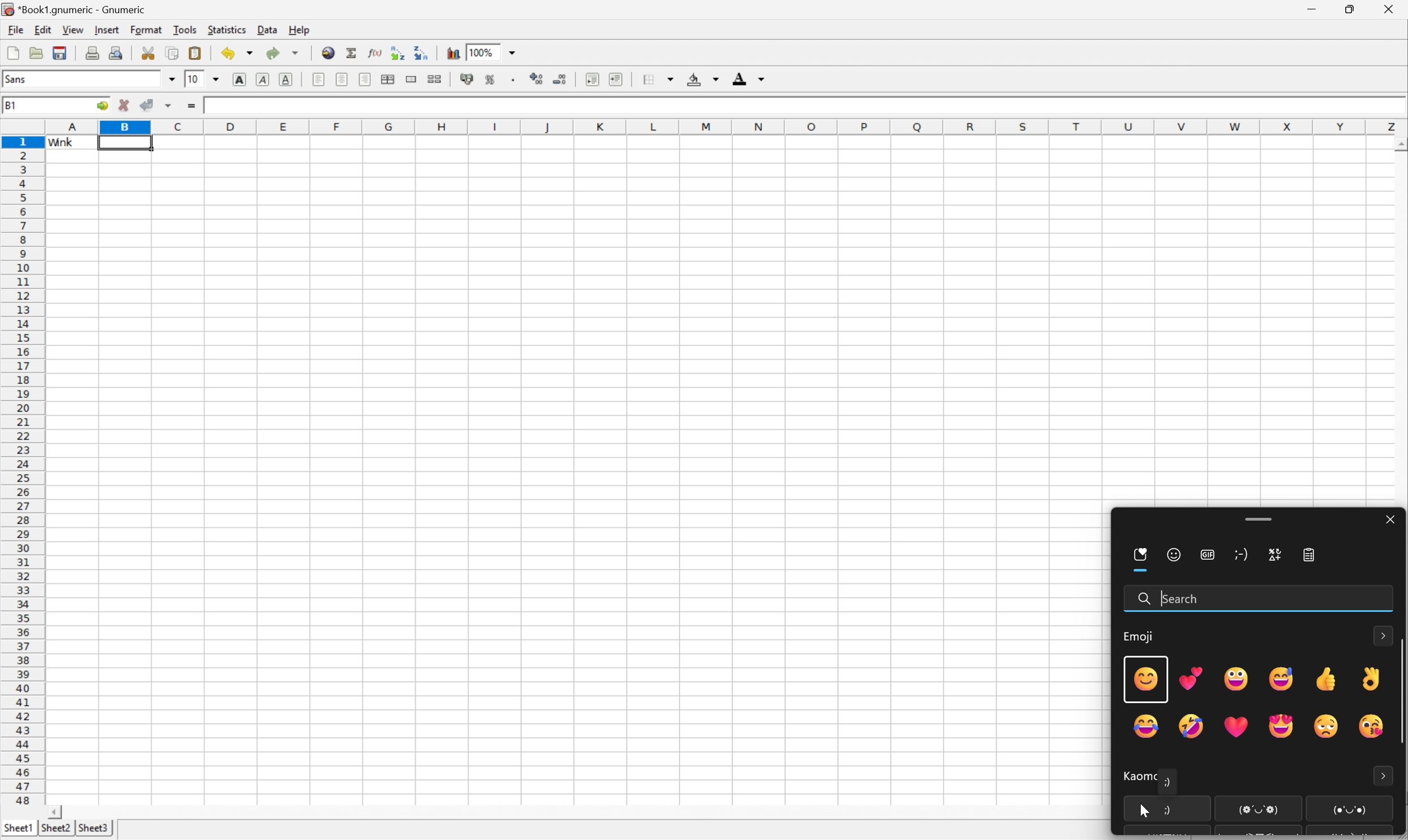 The width and height of the screenshot is (1408, 840). Describe the element at coordinates (266, 30) in the screenshot. I see `data` at that location.